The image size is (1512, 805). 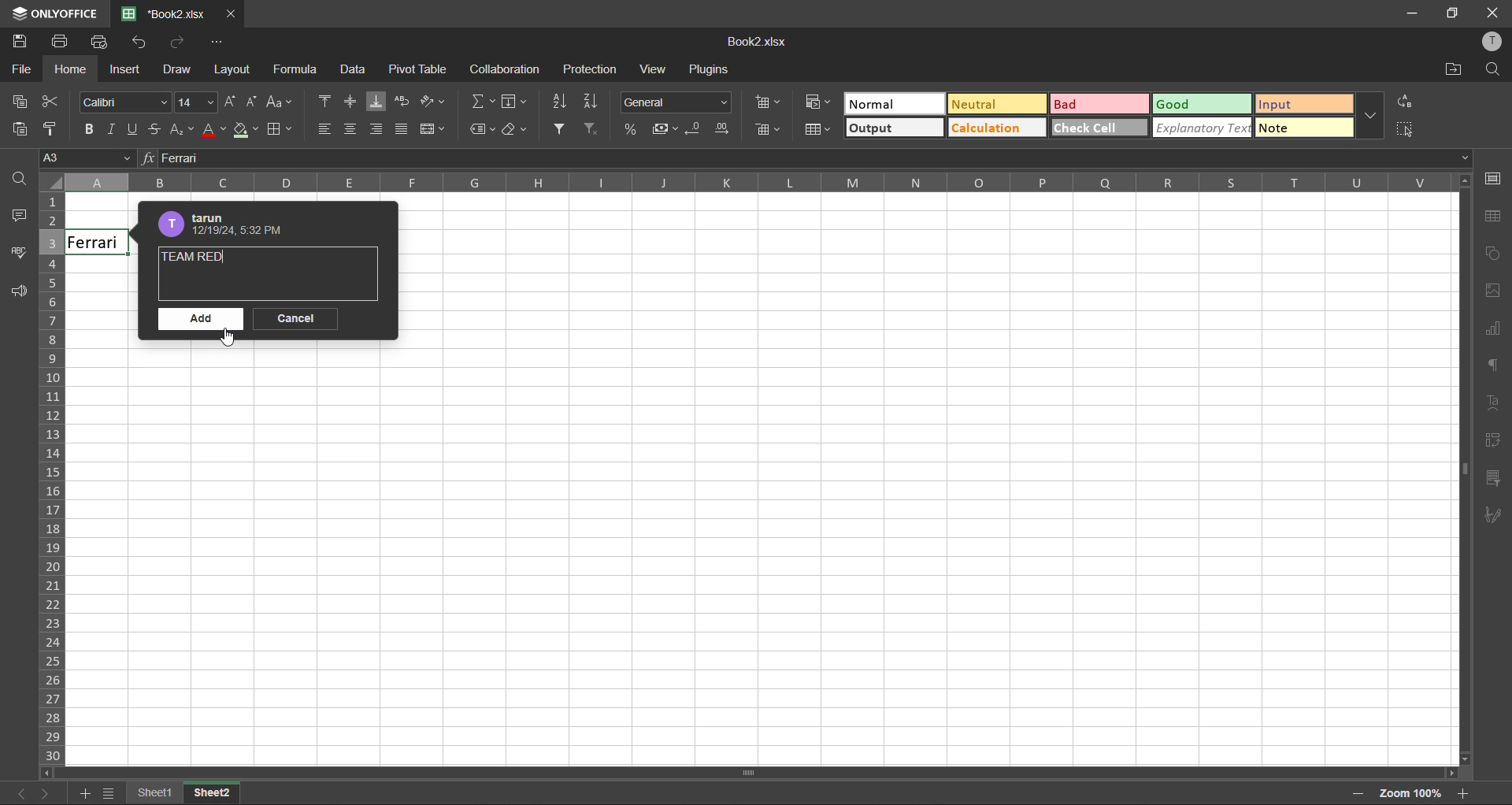 What do you see at coordinates (1406, 104) in the screenshot?
I see `replace` at bounding box center [1406, 104].